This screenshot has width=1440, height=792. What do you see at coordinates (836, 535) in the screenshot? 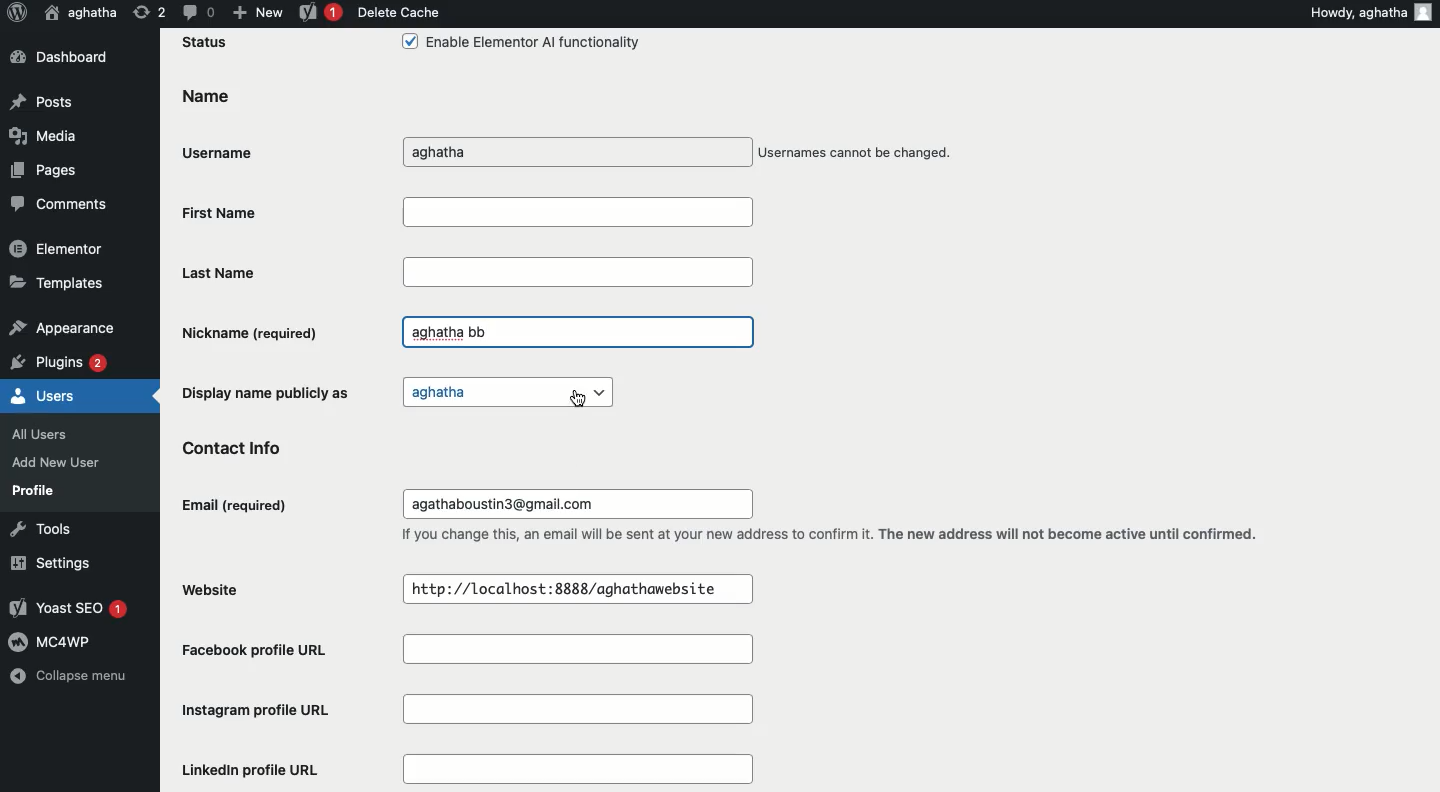
I see `If you change this, an email will be sent at your new address to confirm it. The new address will not become active until confirmed.` at bounding box center [836, 535].